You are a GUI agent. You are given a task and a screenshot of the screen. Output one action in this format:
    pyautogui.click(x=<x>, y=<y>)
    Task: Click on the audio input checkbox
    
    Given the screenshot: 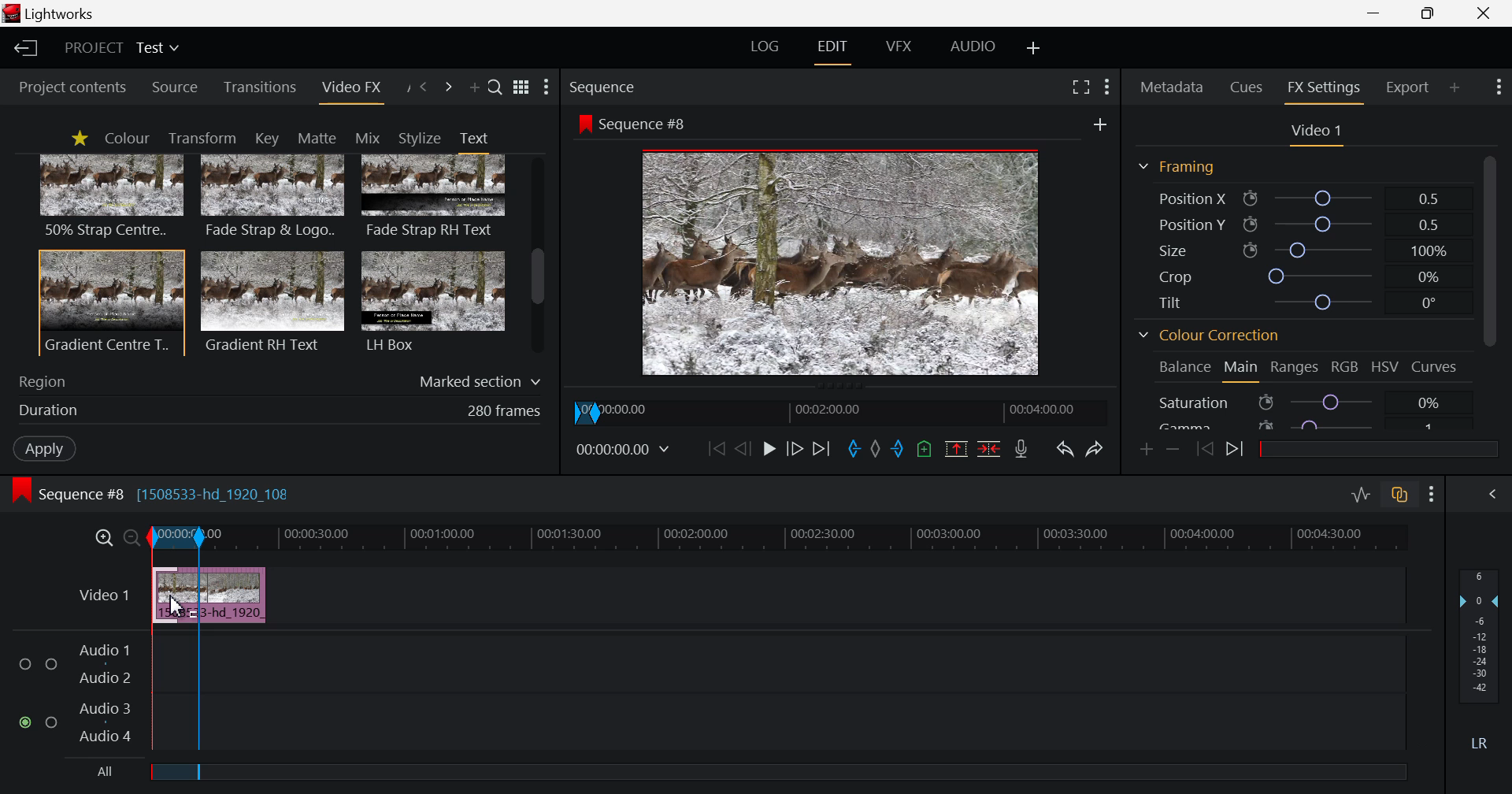 What is the action you would take?
    pyautogui.click(x=36, y=692)
    